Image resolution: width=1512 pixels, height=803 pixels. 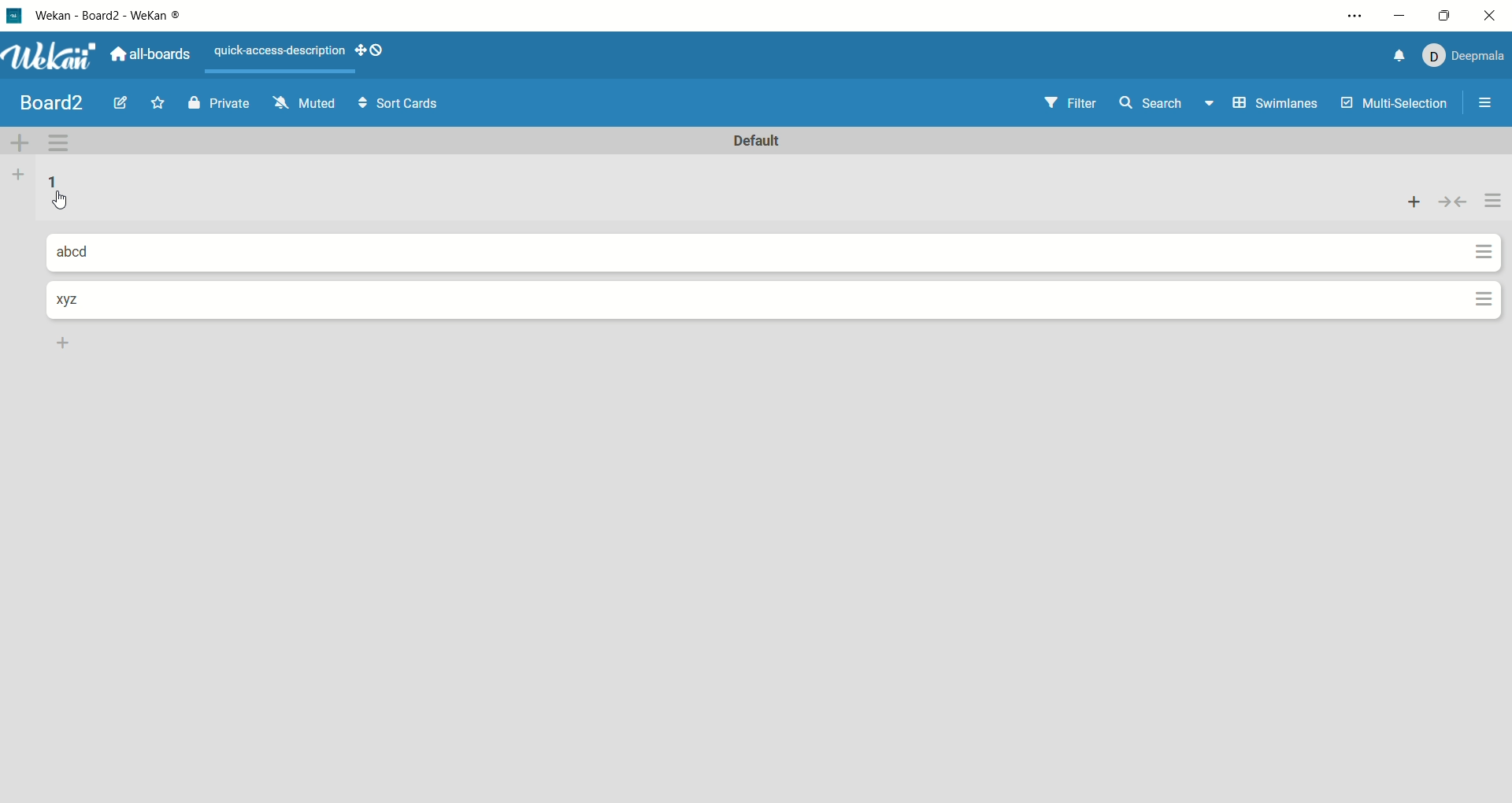 I want to click on filter, so click(x=1066, y=102).